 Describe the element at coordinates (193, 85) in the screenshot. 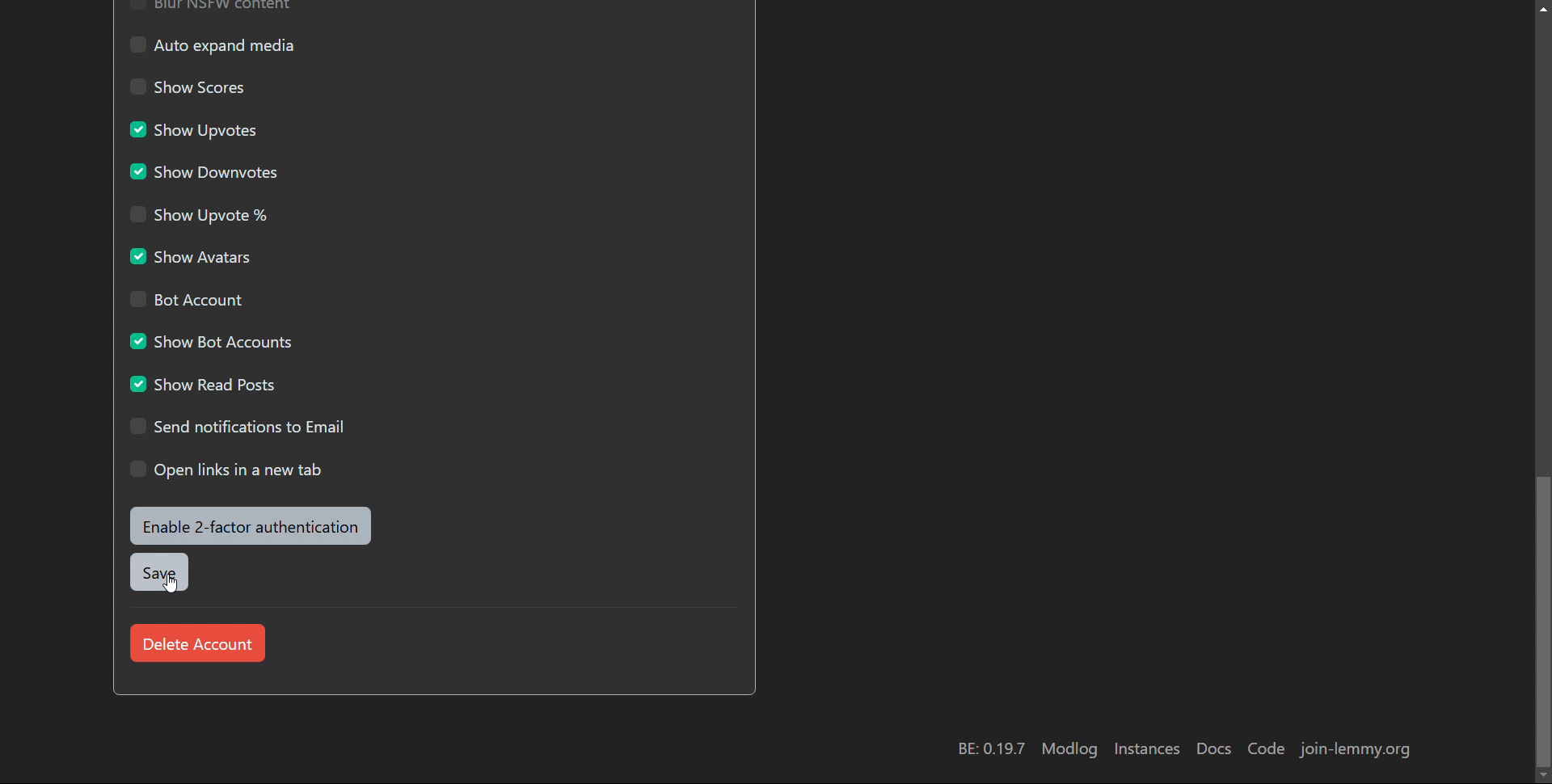

I see `show scores` at that location.